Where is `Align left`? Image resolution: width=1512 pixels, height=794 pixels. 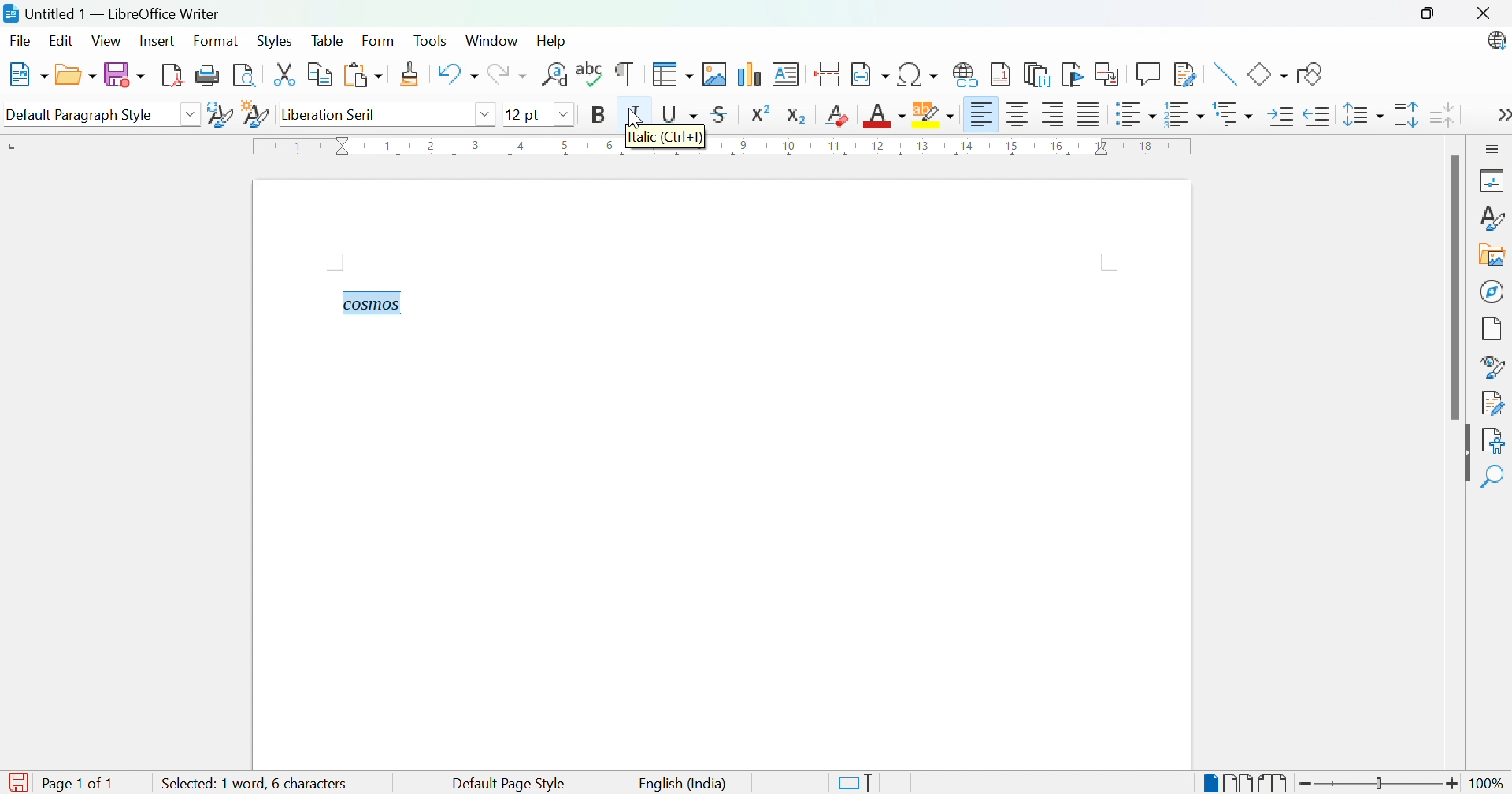
Align left is located at coordinates (982, 115).